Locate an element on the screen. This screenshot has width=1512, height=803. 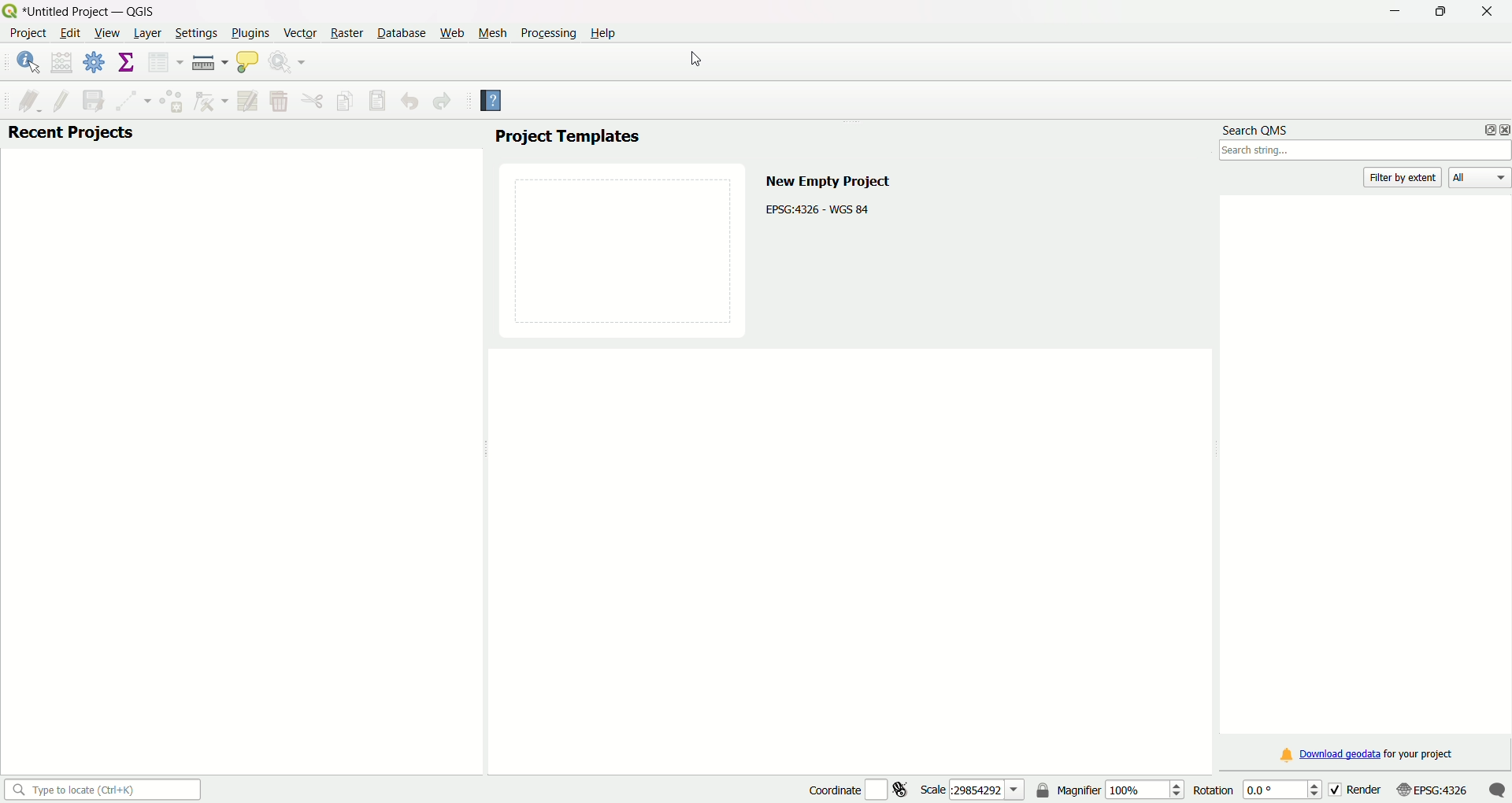
options is located at coordinates (1485, 129).